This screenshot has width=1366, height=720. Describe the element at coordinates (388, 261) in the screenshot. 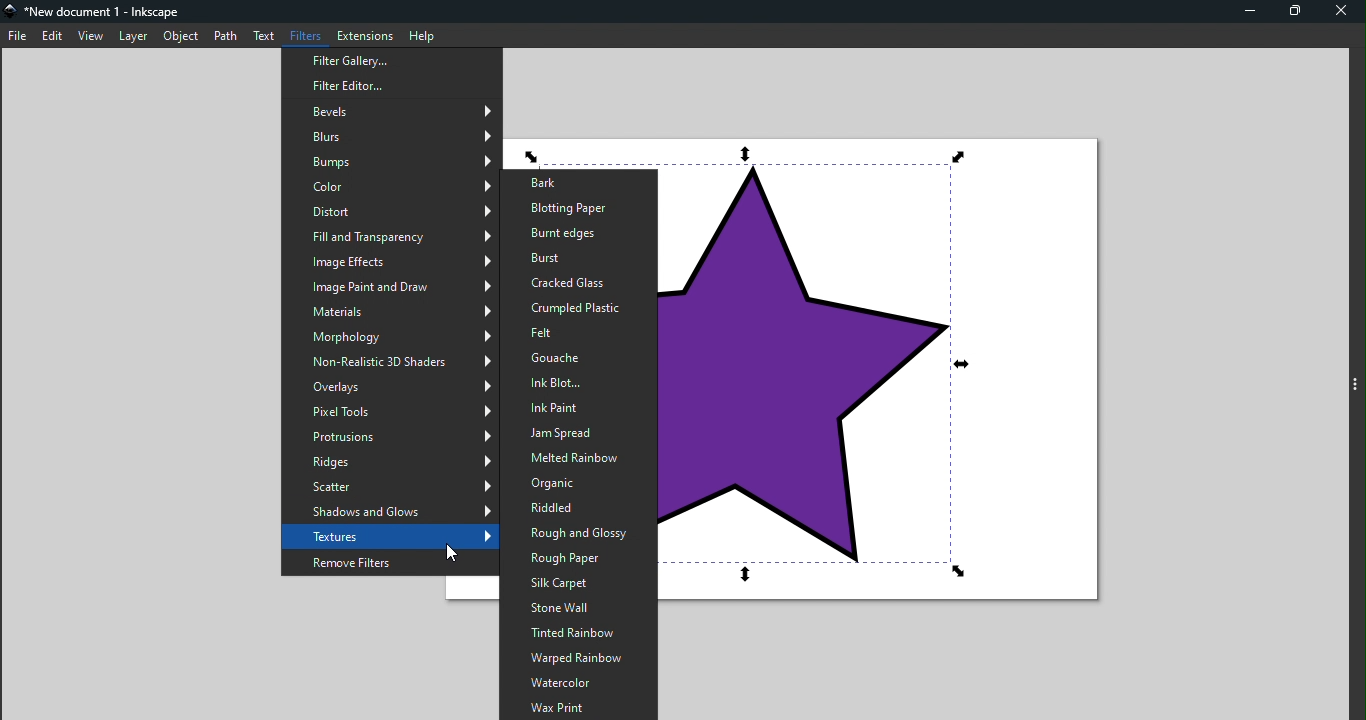

I see `Image effects` at that location.